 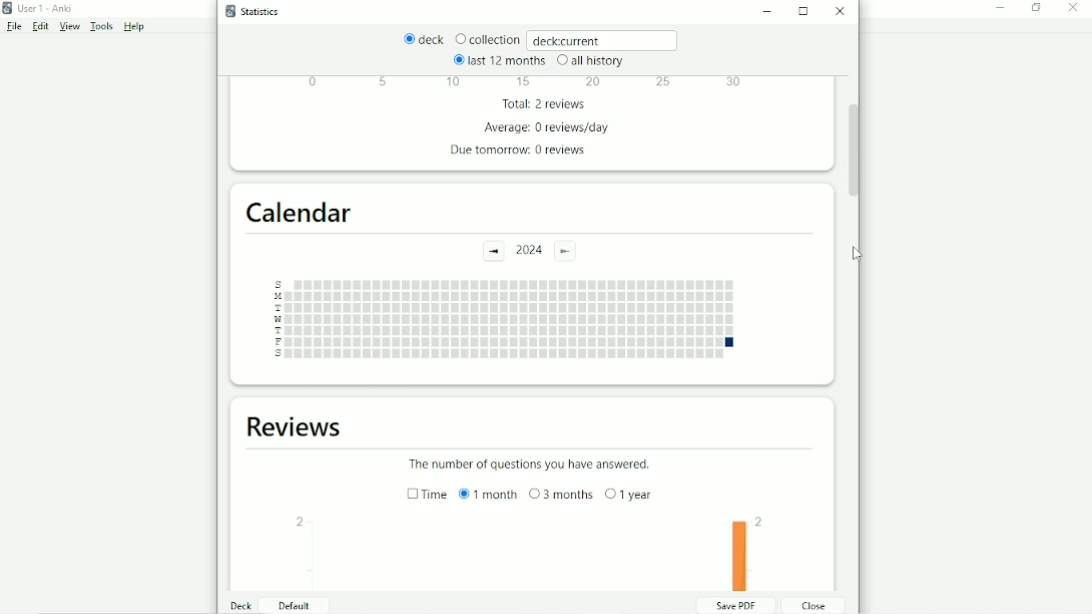 What do you see at coordinates (13, 27) in the screenshot?
I see `File` at bounding box center [13, 27].